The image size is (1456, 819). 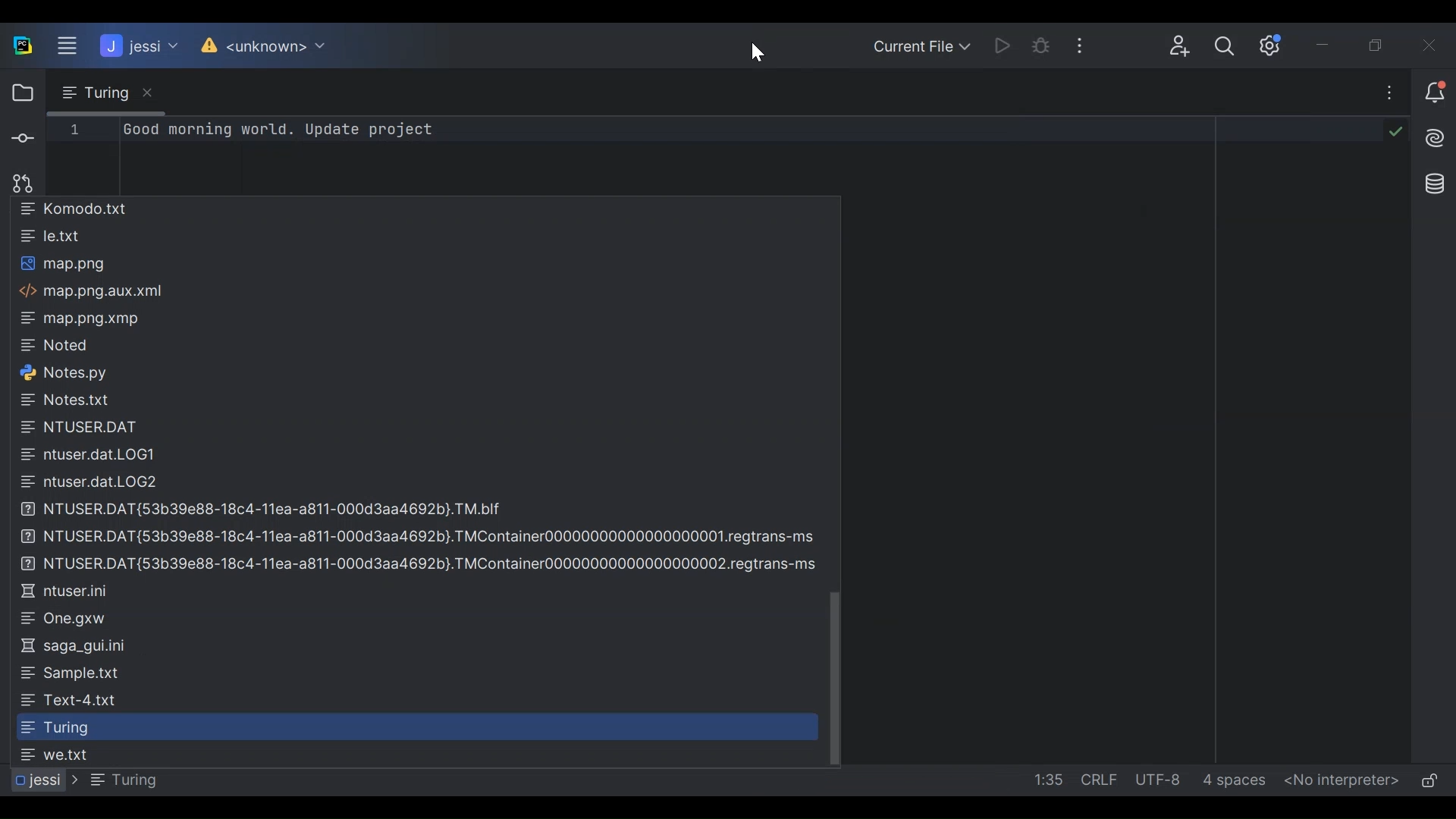 I want to click on Noted, so click(x=61, y=344).